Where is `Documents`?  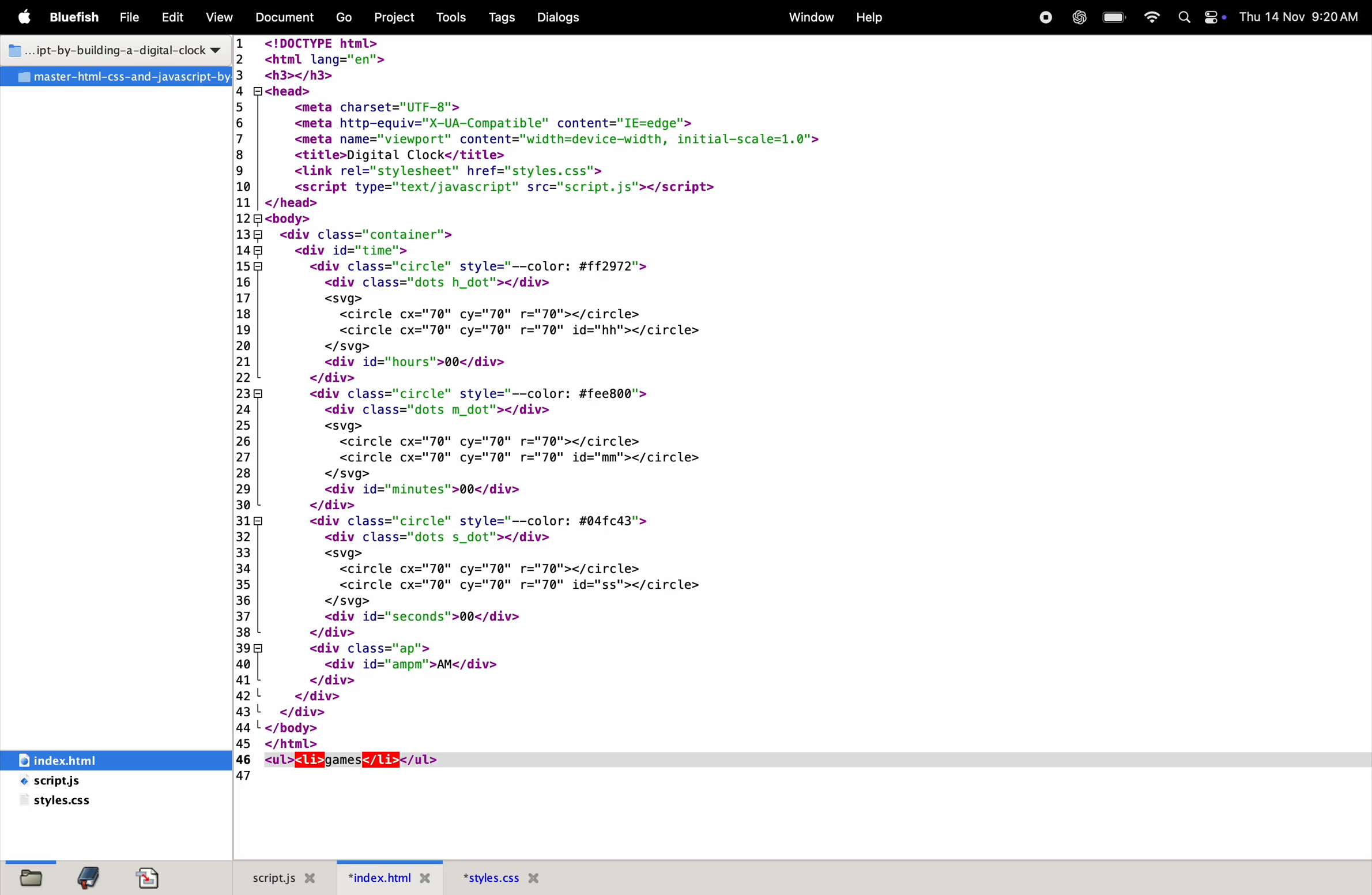 Documents is located at coordinates (287, 18).